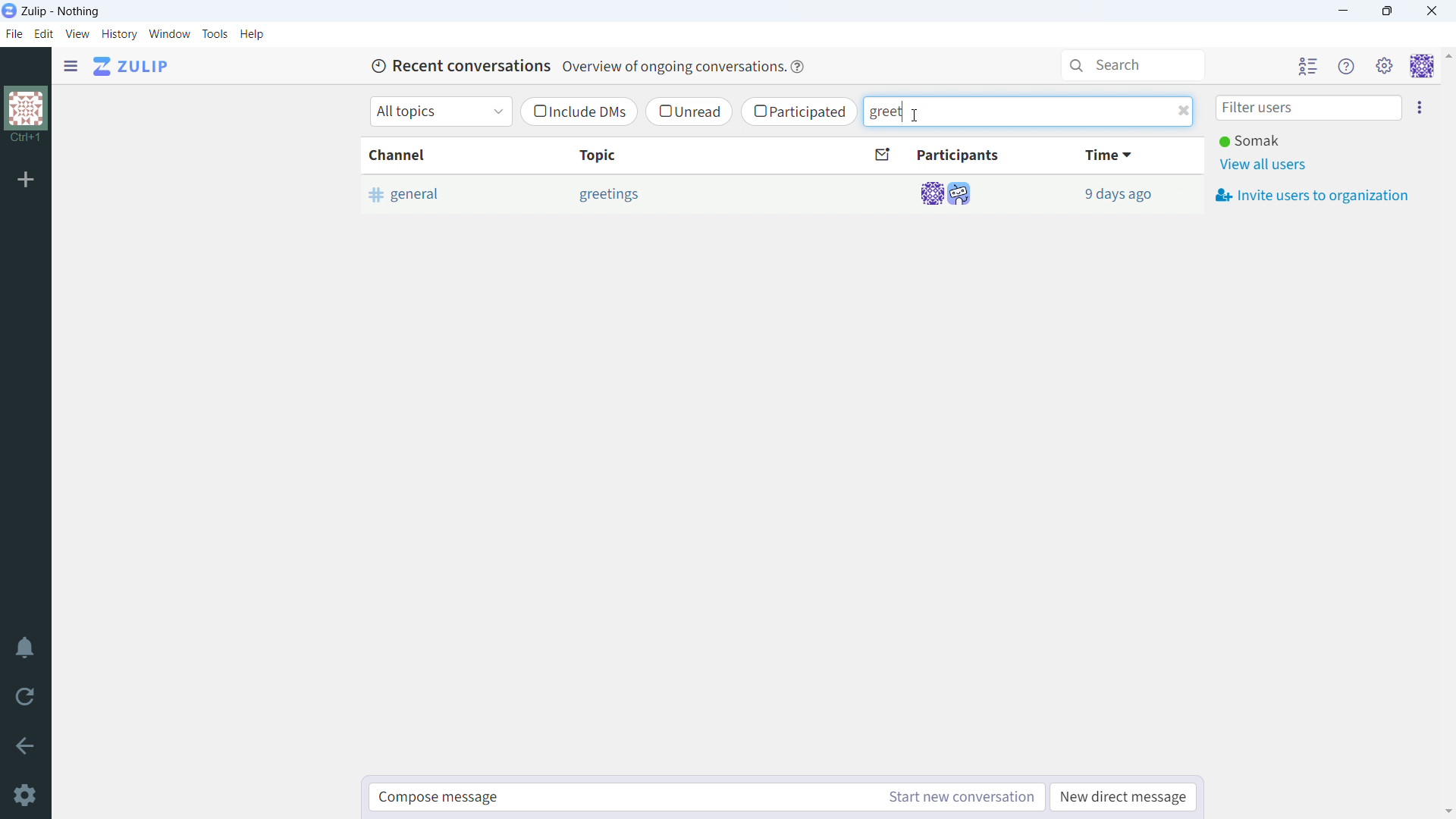 Image resolution: width=1456 pixels, height=819 pixels. Describe the element at coordinates (61, 11) in the screenshot. I see `title` at that location.